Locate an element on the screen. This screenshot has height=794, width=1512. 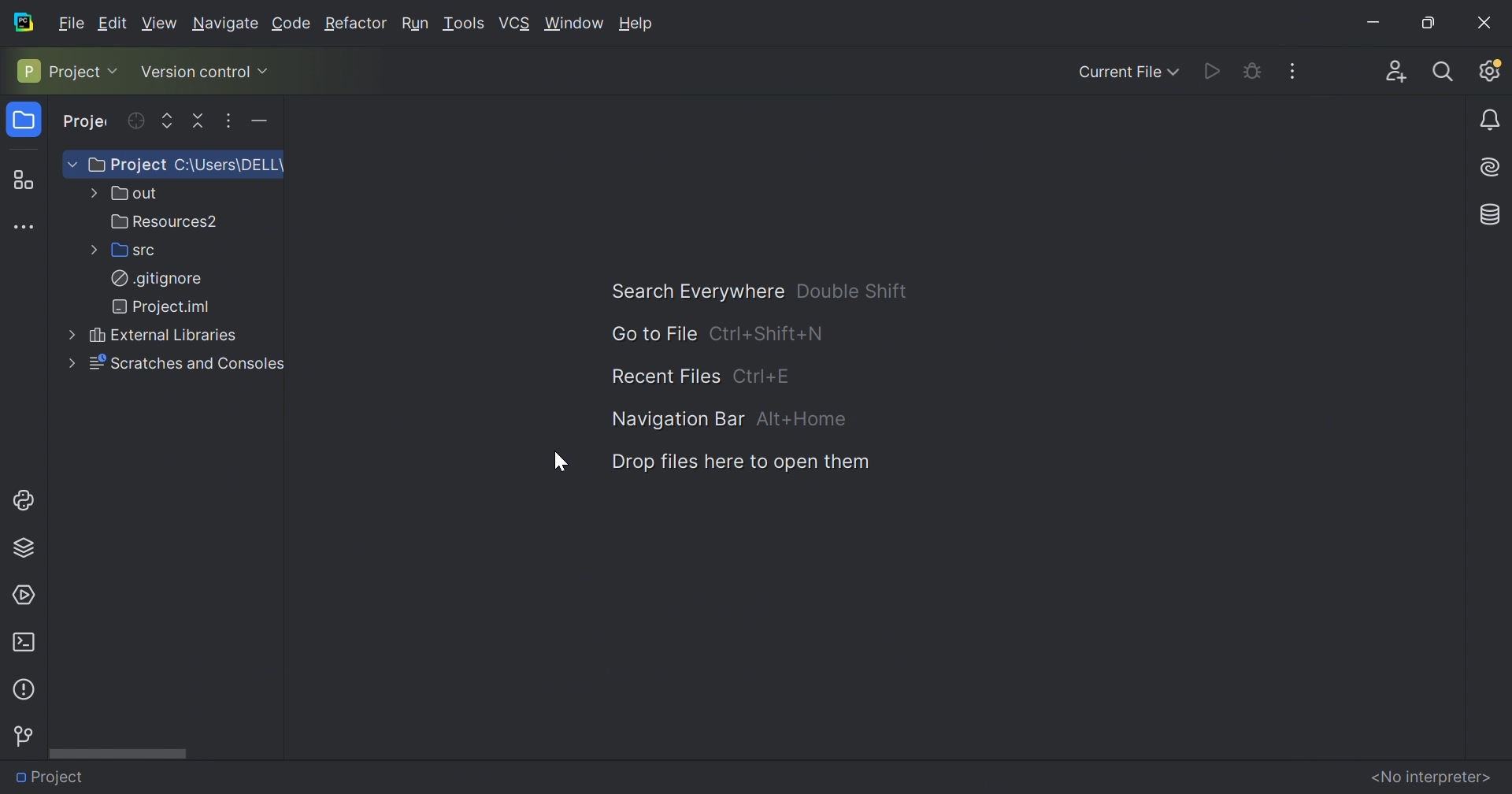
View is located at coordinates (159, 23).